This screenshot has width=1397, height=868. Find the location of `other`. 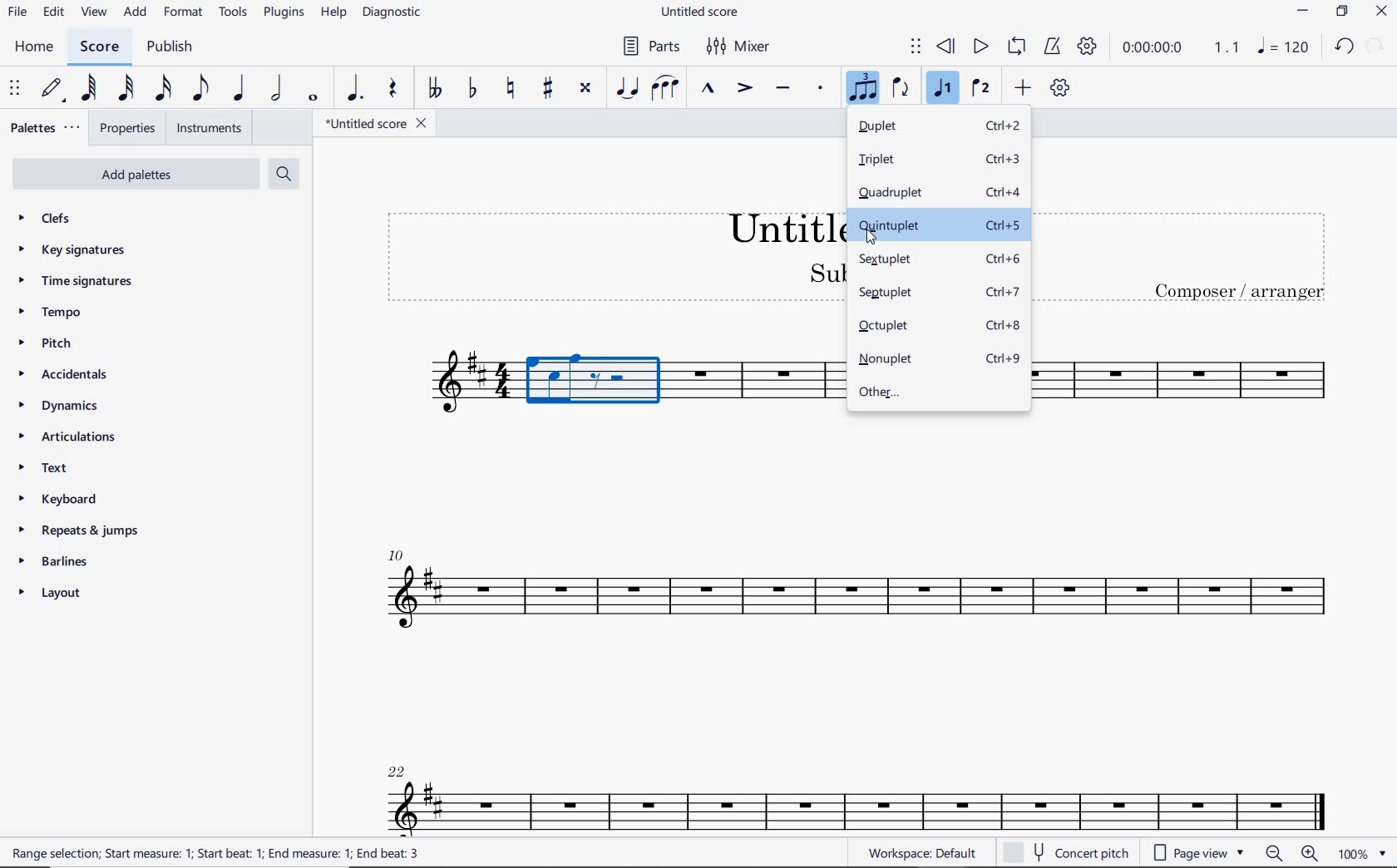

other is located at coordinates (935, 394).